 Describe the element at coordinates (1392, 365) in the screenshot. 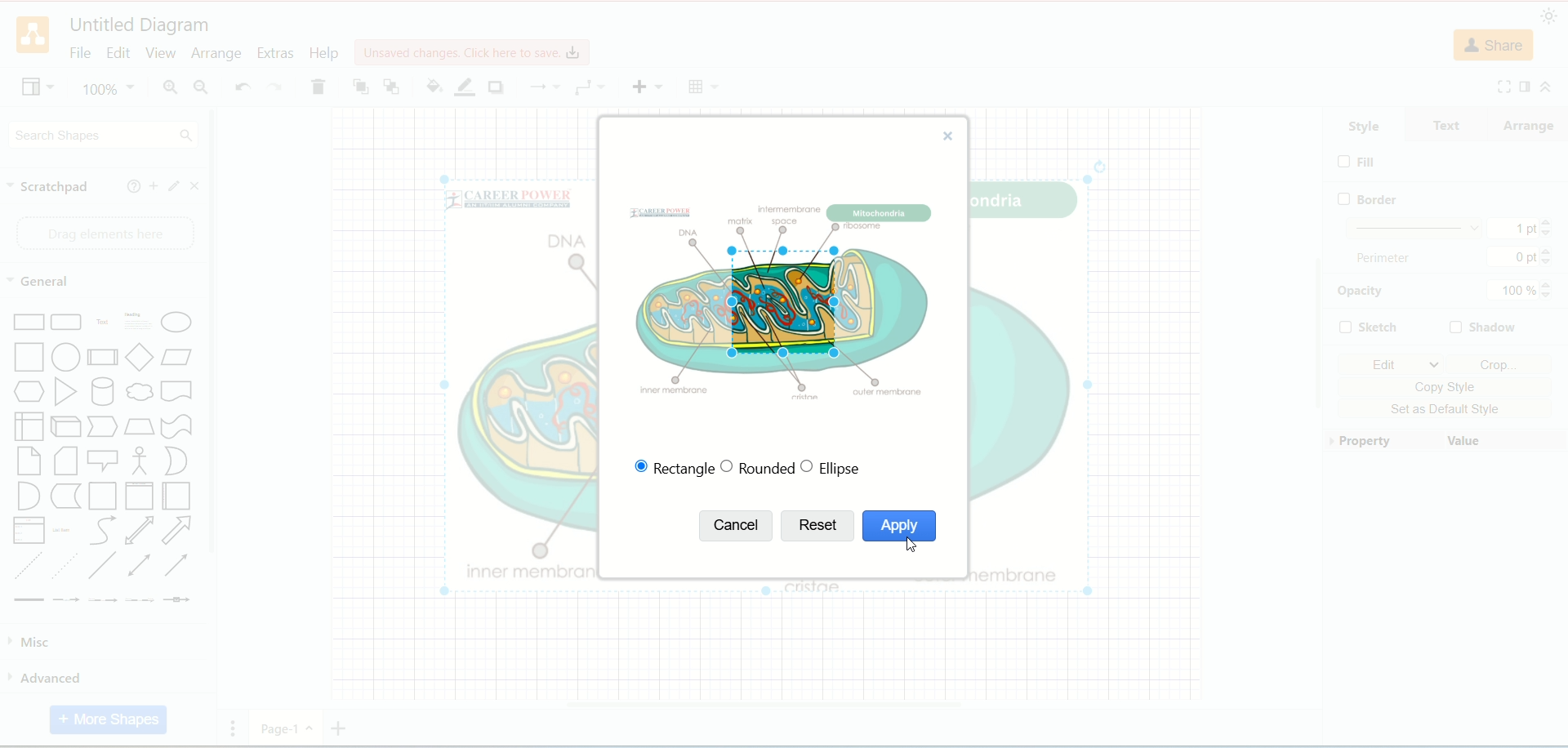

I see `edit` at that location.